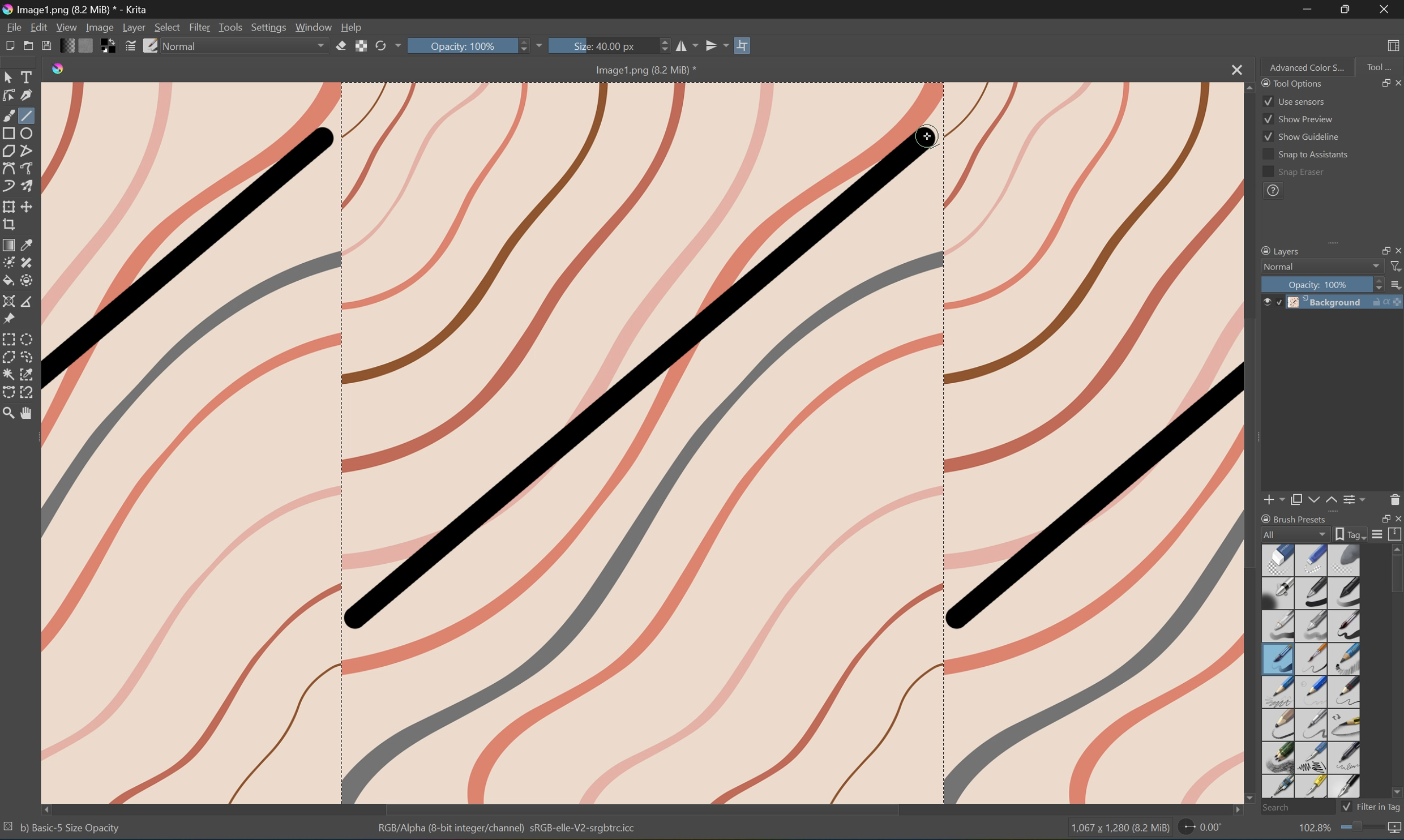 This screenshot has width=1404, height=840. Describe the element at coordinates (89, 47) in the screenshot. I see `Fill patterns` at that location.